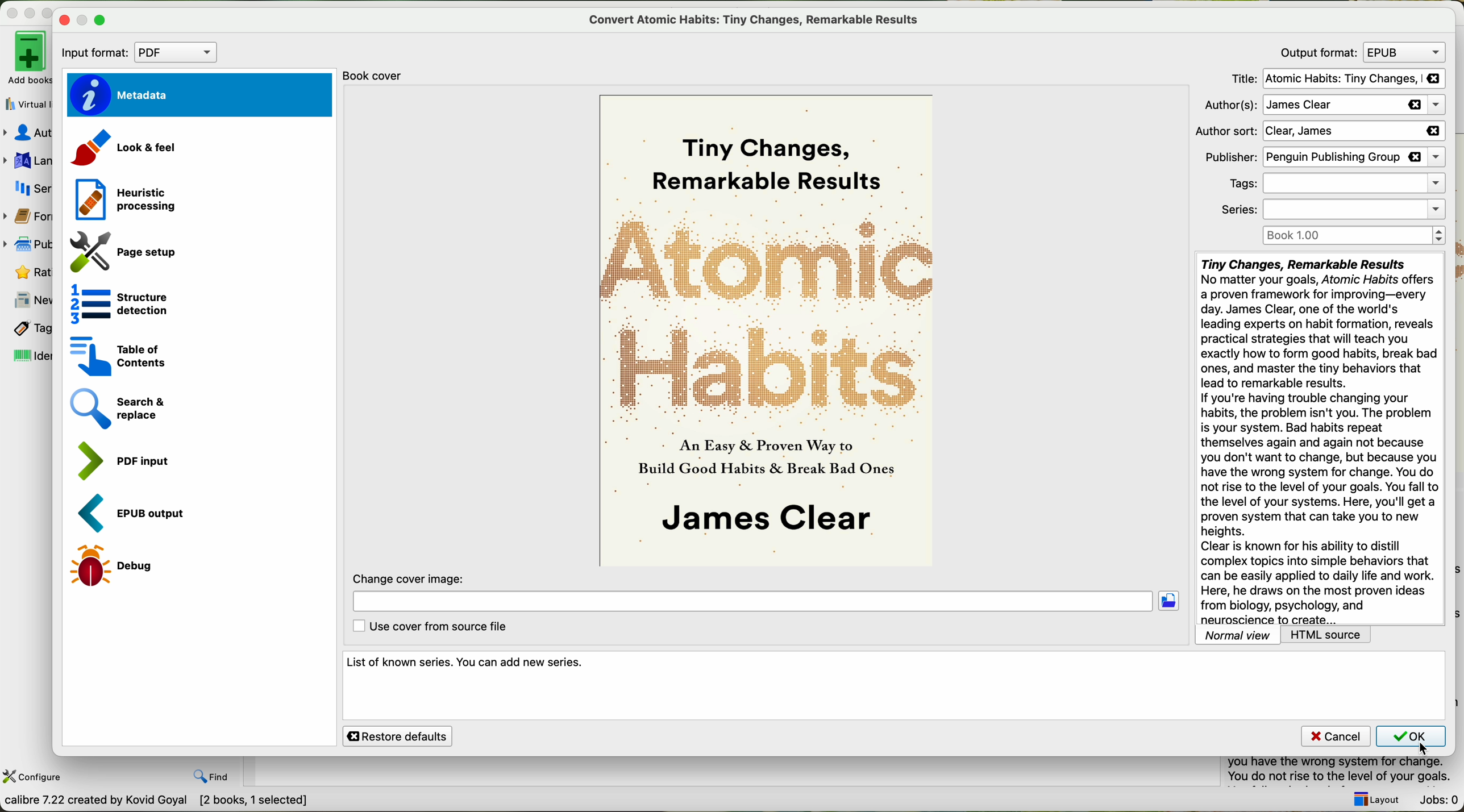 This screenshot has width=1464, height=812. Describe the element at coordinates (10, 11) in the screenshot. I see `close program` at that location.